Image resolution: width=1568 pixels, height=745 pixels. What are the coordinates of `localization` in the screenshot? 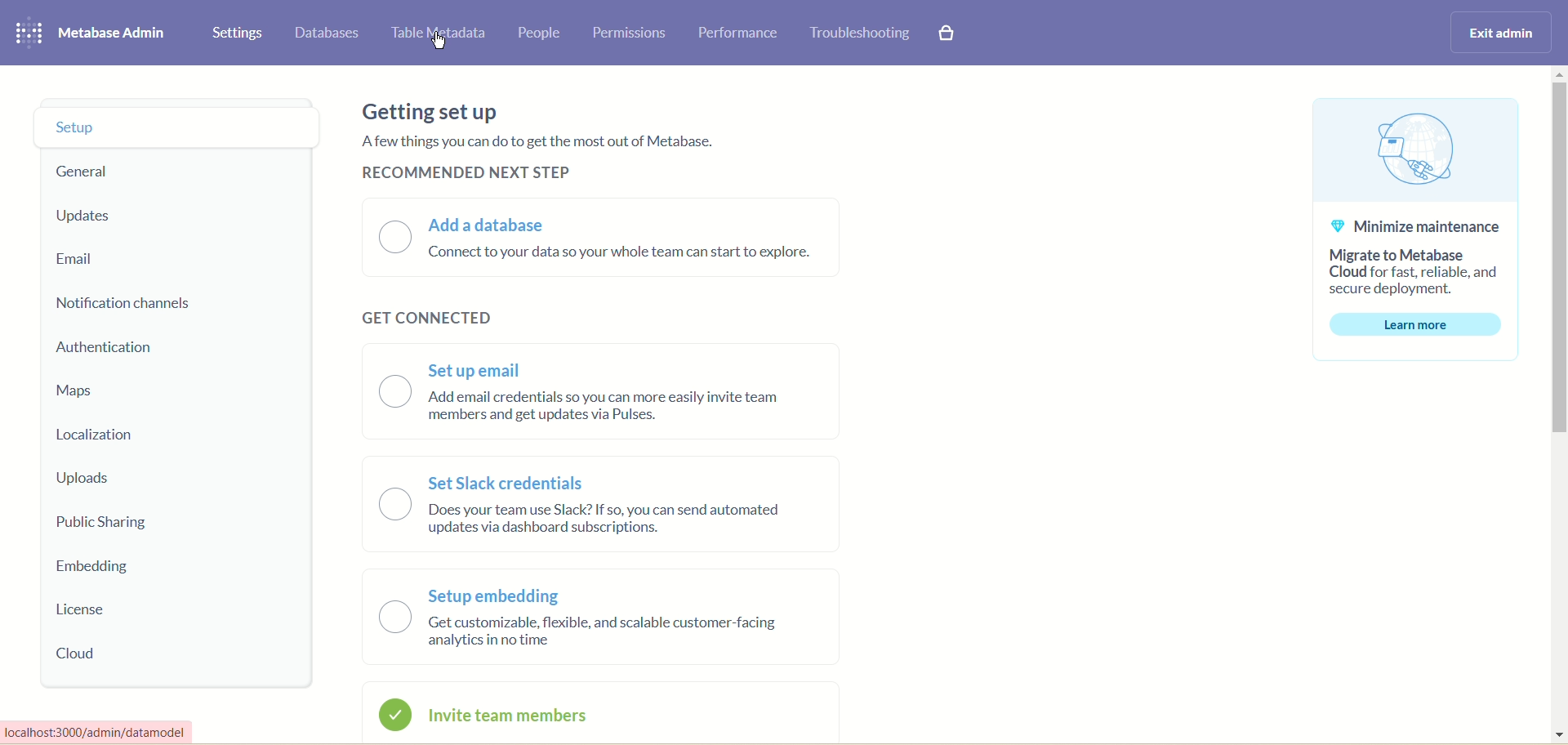 It's located at (99, 436).